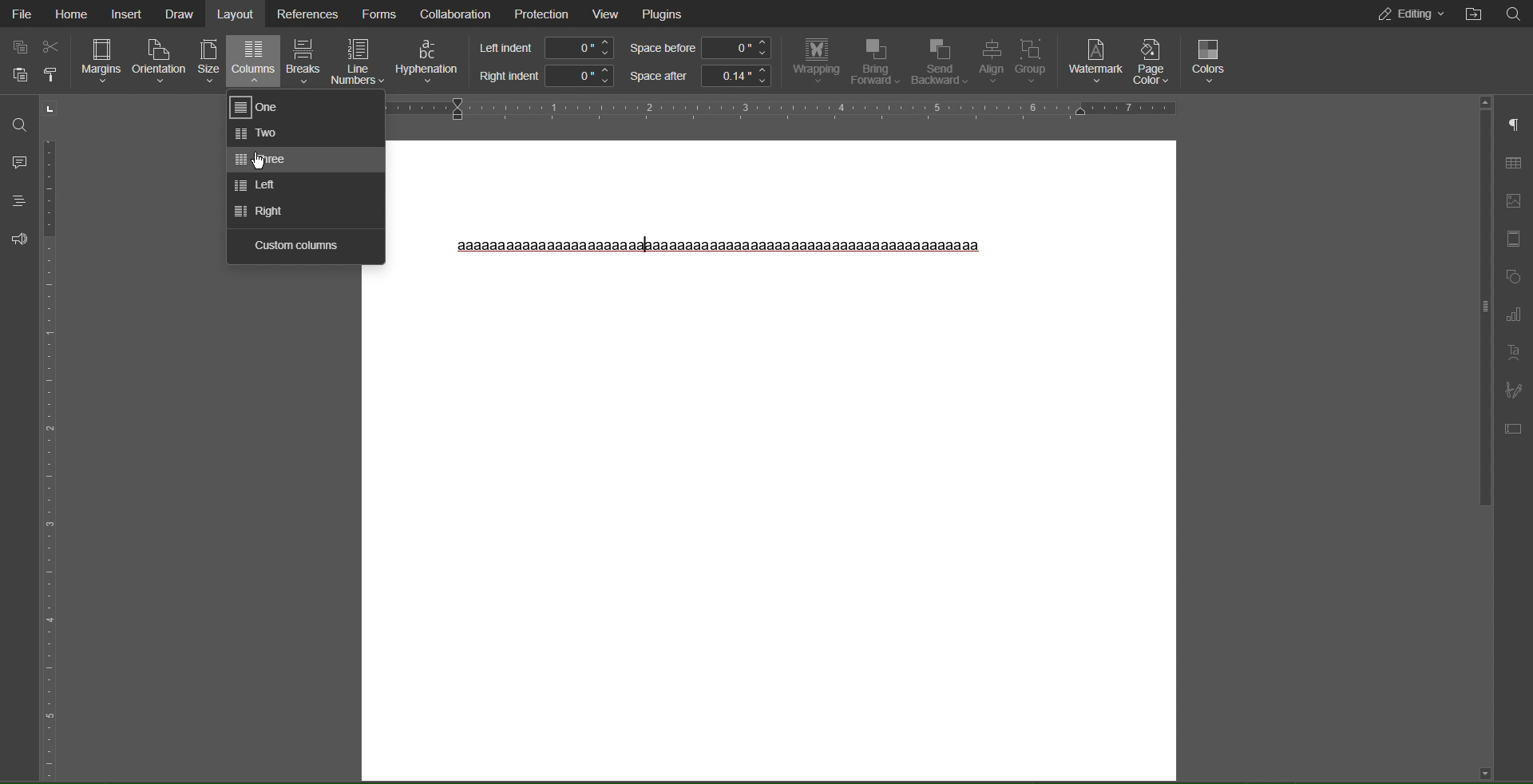 The width and height of the screenshot is (1533, 784). Describe the element at coordinates (1095, 59) in the screenshot. I see `Watermark` at that location.